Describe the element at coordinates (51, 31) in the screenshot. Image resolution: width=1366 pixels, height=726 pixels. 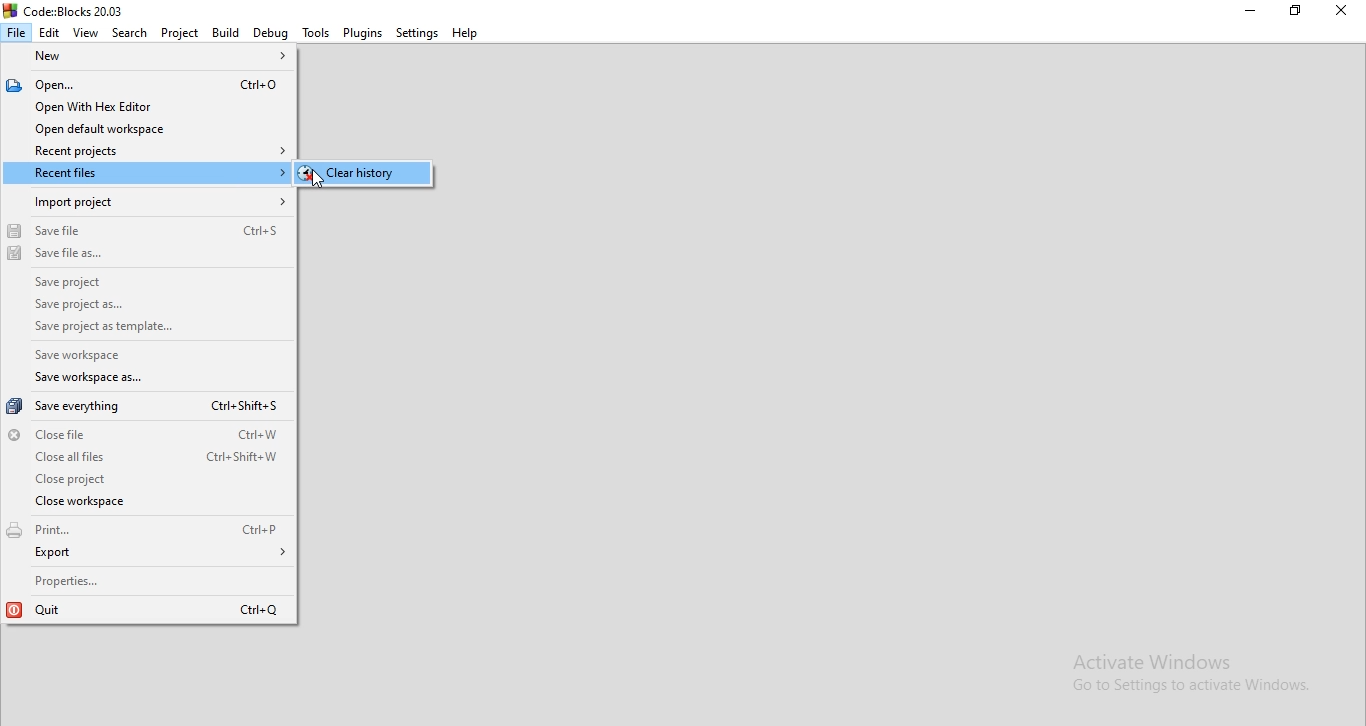
I see `Edit ` at that location.